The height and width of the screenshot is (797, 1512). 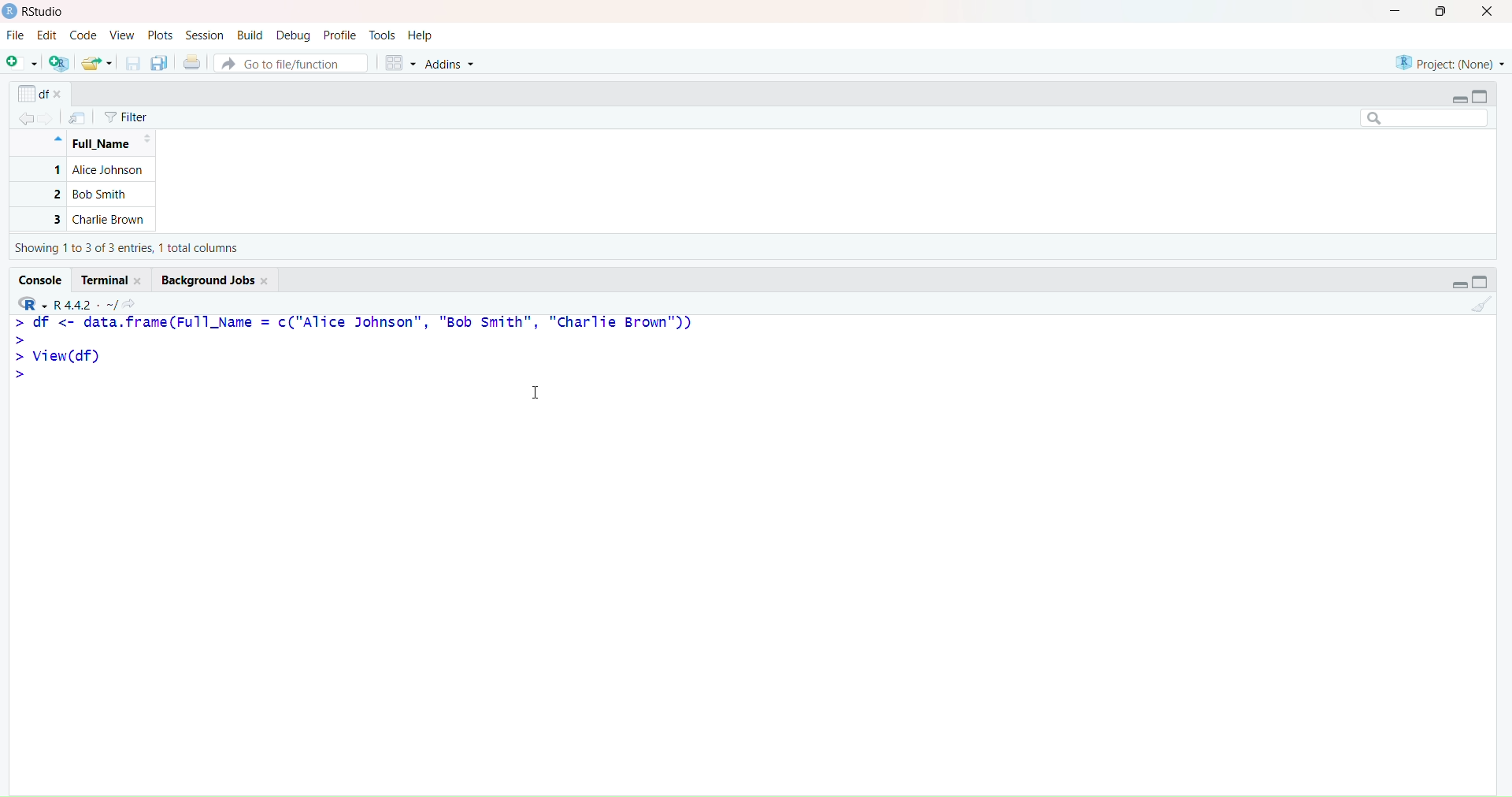 I want to click on Create a project, so click(x=60, y=63).